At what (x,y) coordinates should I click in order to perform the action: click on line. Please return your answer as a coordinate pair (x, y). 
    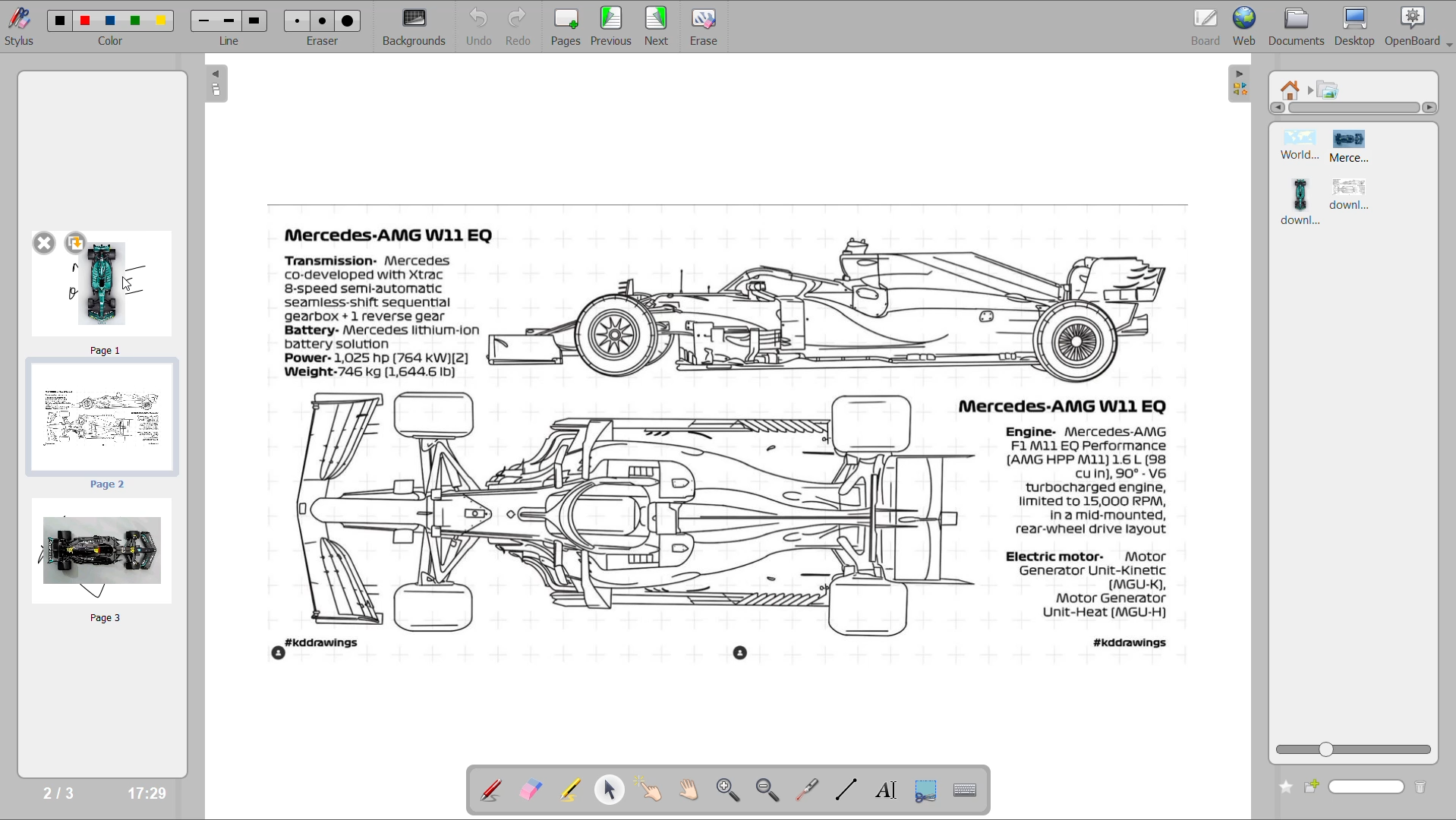
    Looking at the image, I should click on (232, 40).